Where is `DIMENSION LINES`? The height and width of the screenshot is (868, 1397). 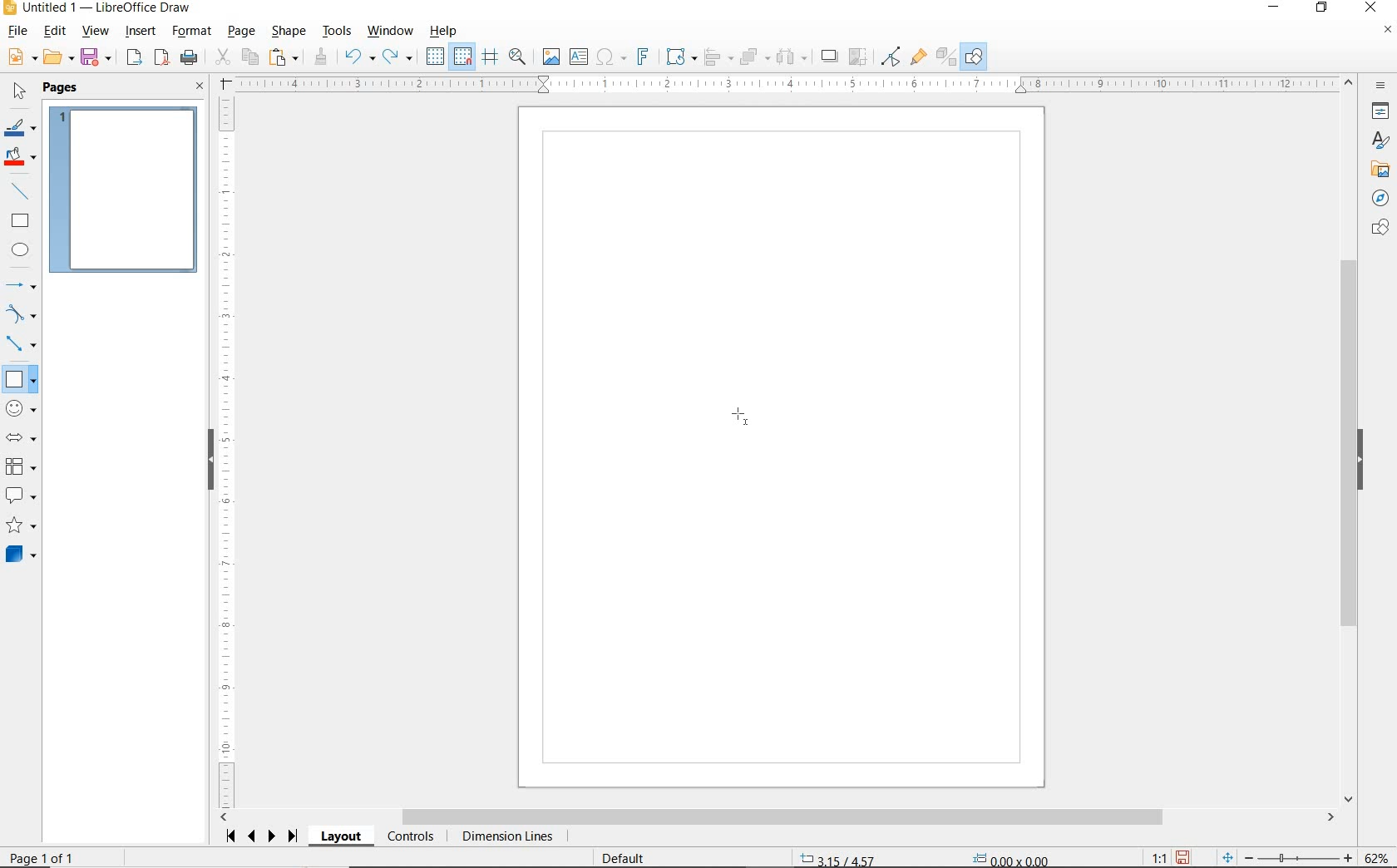
DIMENSION LINES is located at coordinates (506, 837).